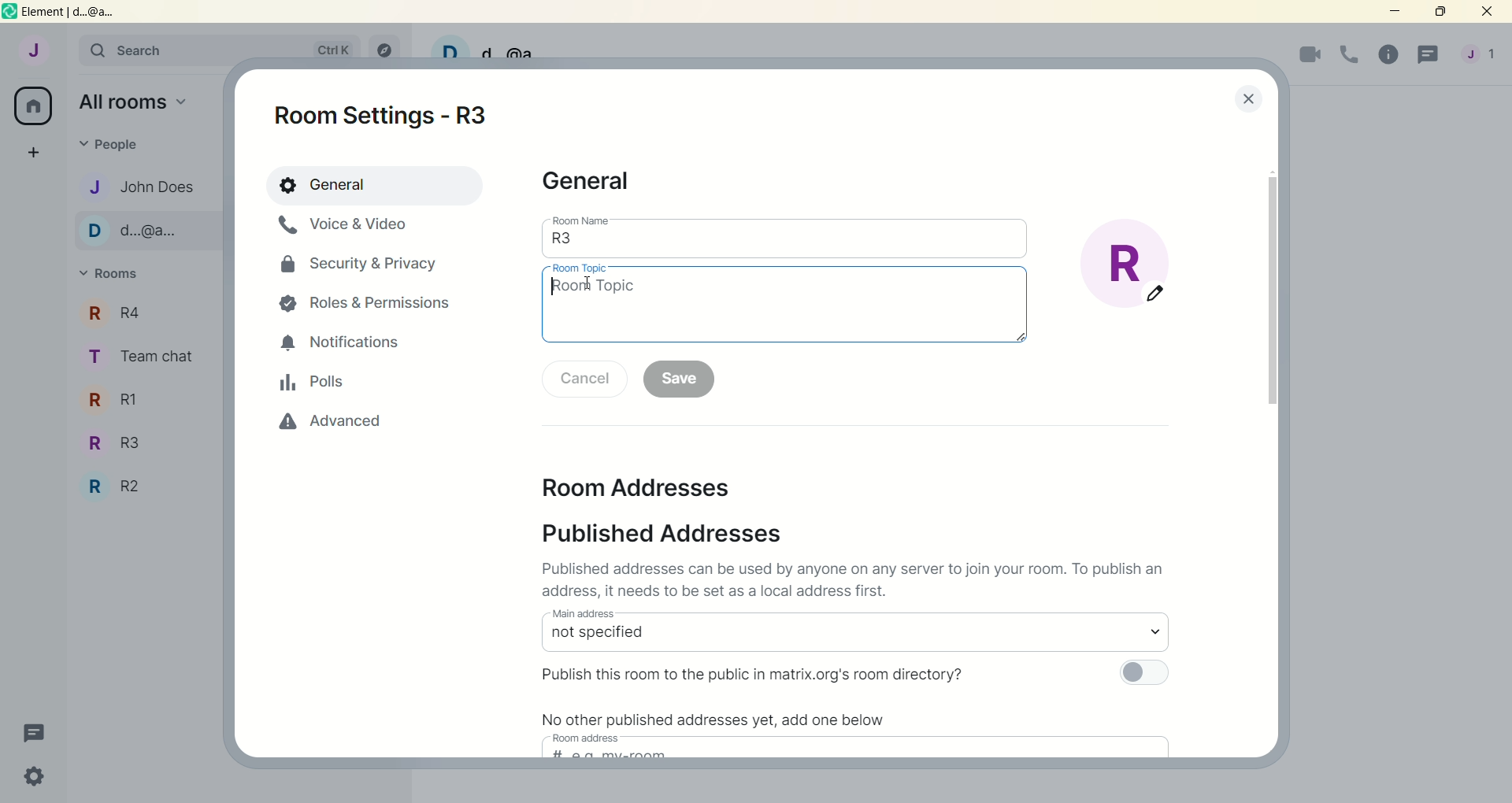 The image size is (1512, 803). I want to click on R1, so click(140, 398).